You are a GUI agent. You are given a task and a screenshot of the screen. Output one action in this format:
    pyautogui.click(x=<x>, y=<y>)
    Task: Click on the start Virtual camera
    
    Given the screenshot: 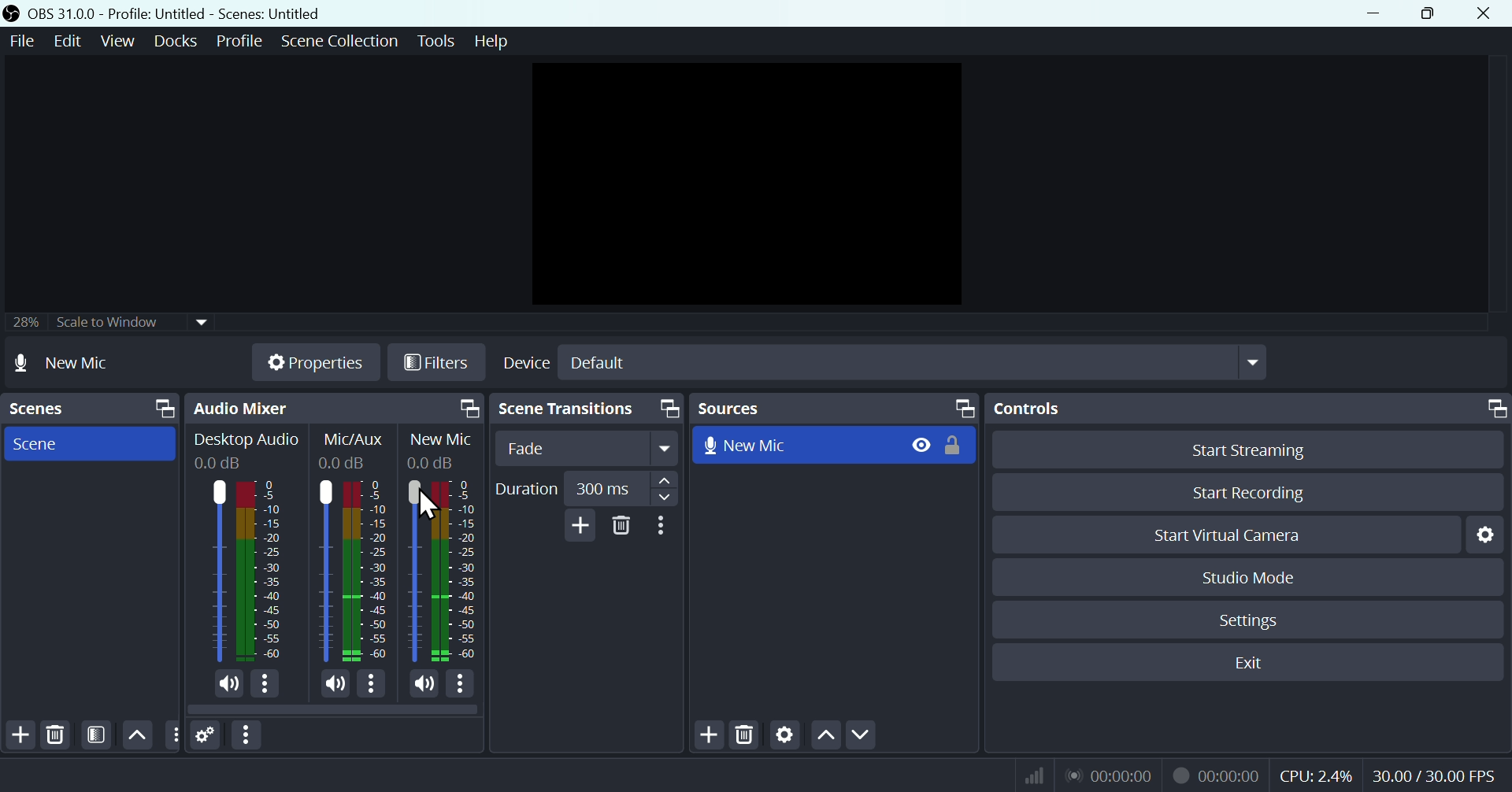 What is the action you would take?
    pyautogui.click(x=1236, y=535)
    